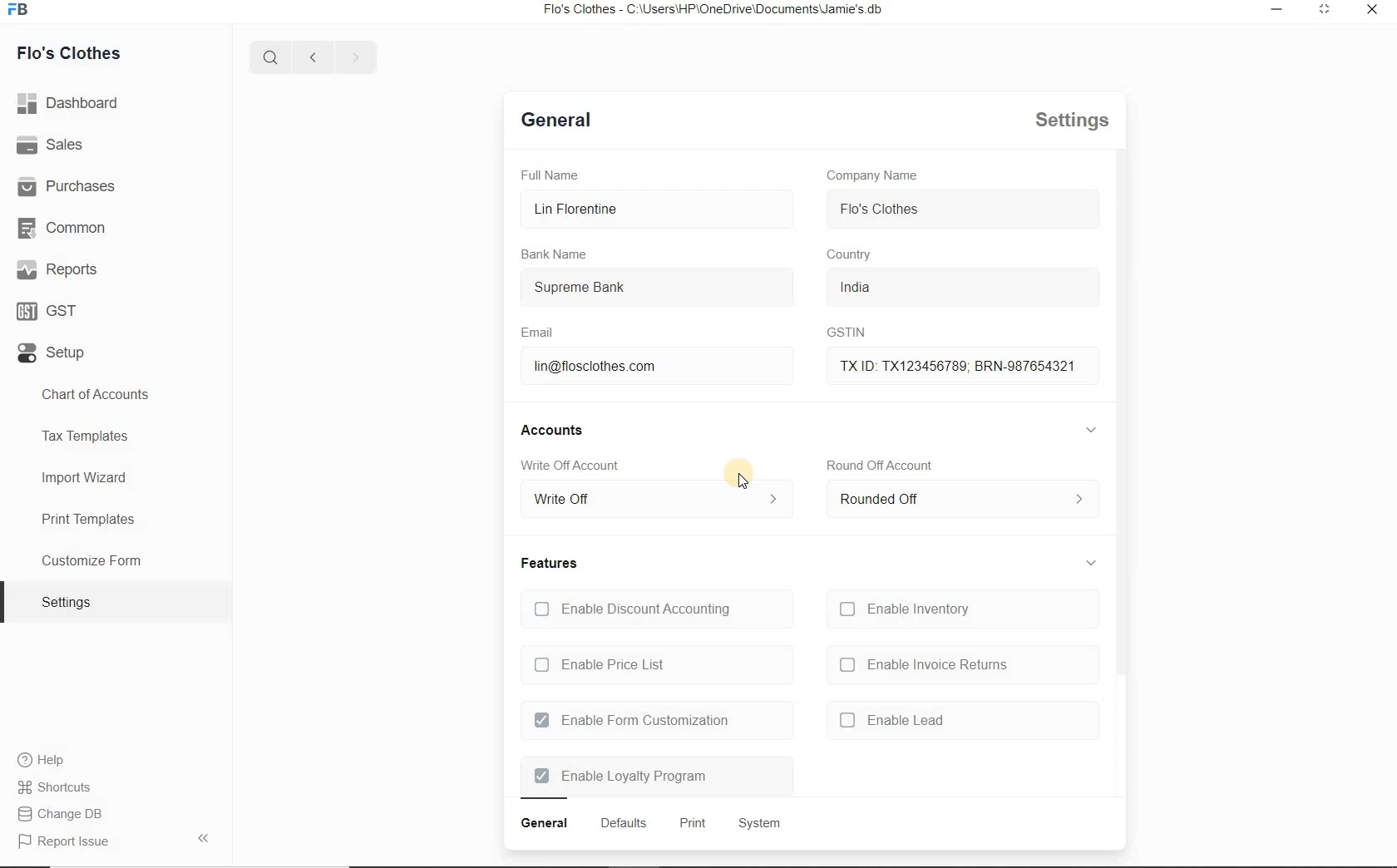 Image resolution: width=1397 pixels, height=868 pixels. What do you see at coordinates (535, 331) in the screenshot?
I see `Email` at bounding box center [535, 331].